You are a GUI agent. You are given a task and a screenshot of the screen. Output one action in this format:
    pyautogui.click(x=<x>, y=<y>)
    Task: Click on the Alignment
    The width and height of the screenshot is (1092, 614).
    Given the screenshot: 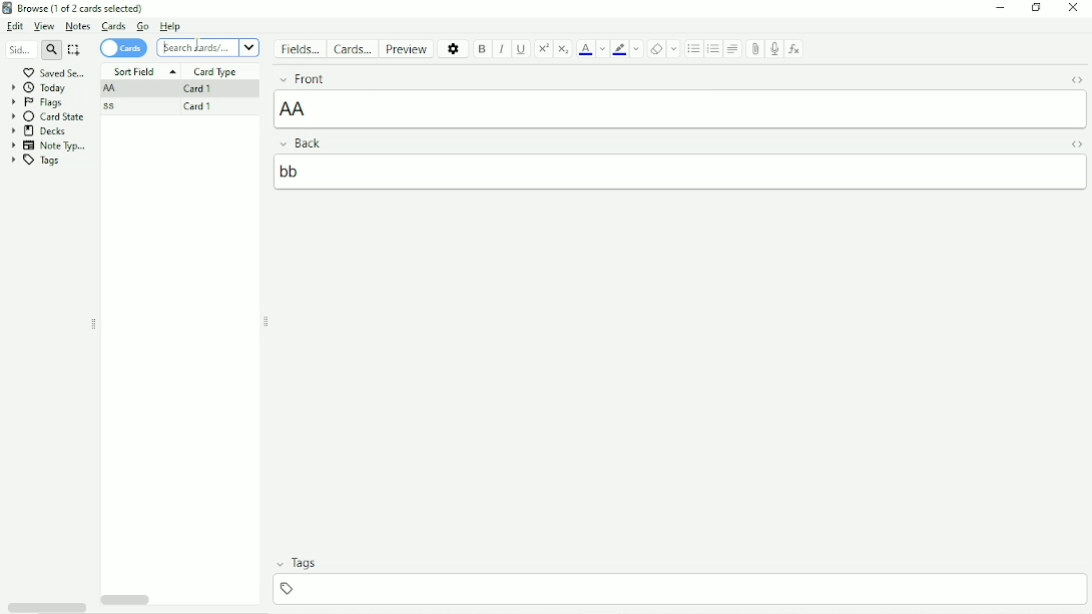 What is the action you would take?
    pyautogui.click(x=734, y=48)
    